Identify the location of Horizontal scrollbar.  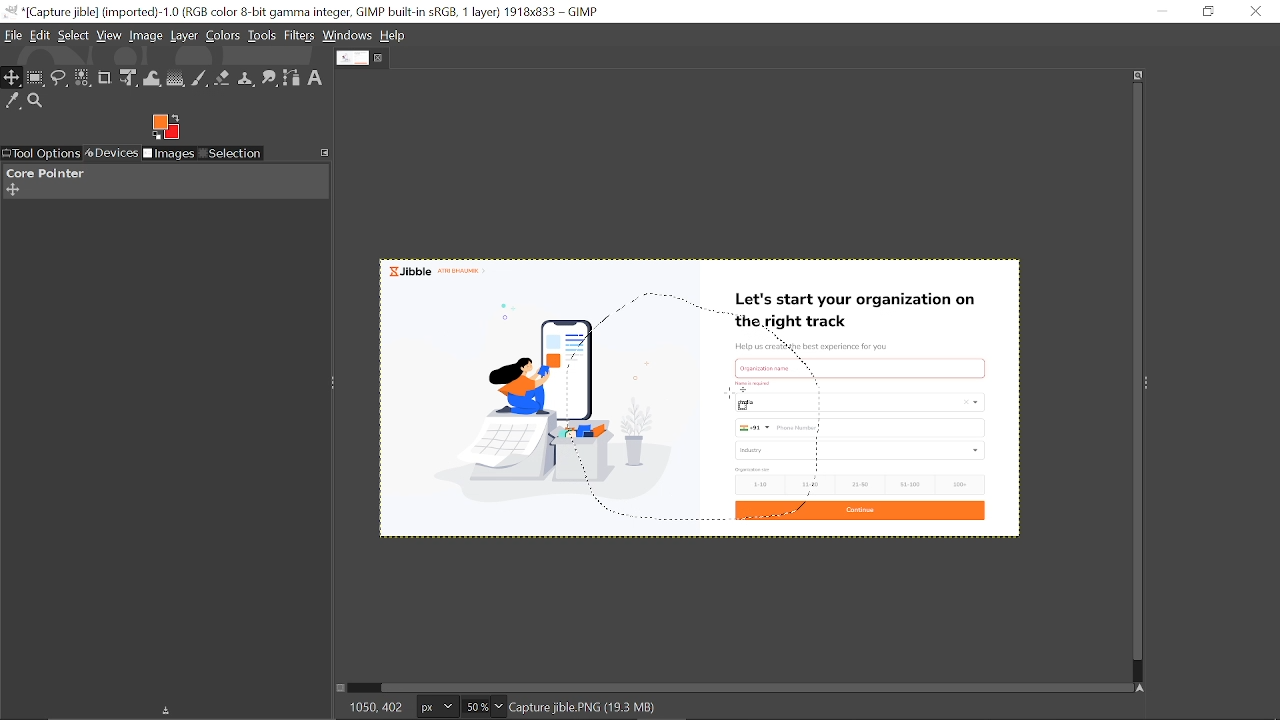
(758, 687).